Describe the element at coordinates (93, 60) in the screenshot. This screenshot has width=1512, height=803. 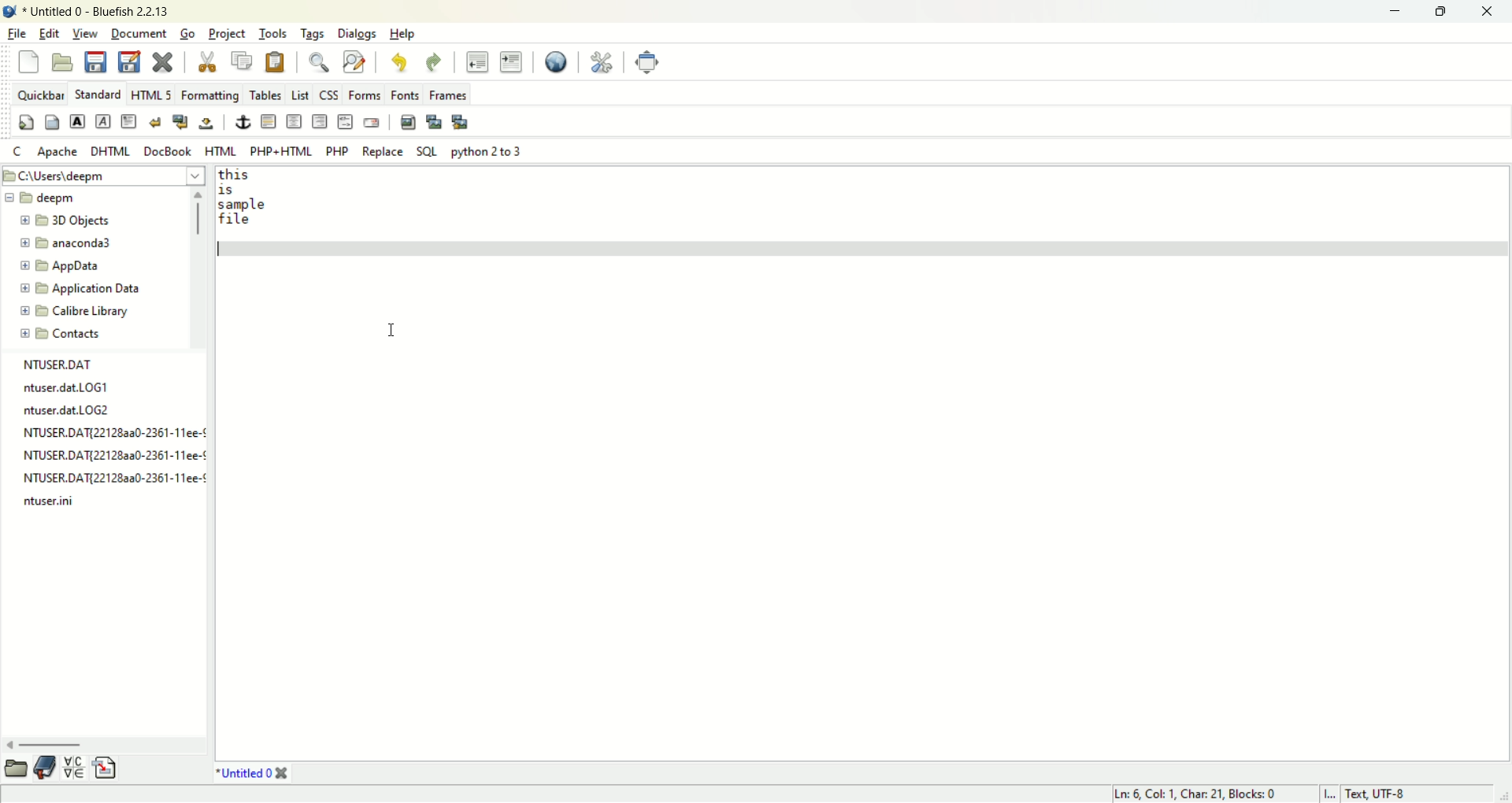
I see `save` at that location.